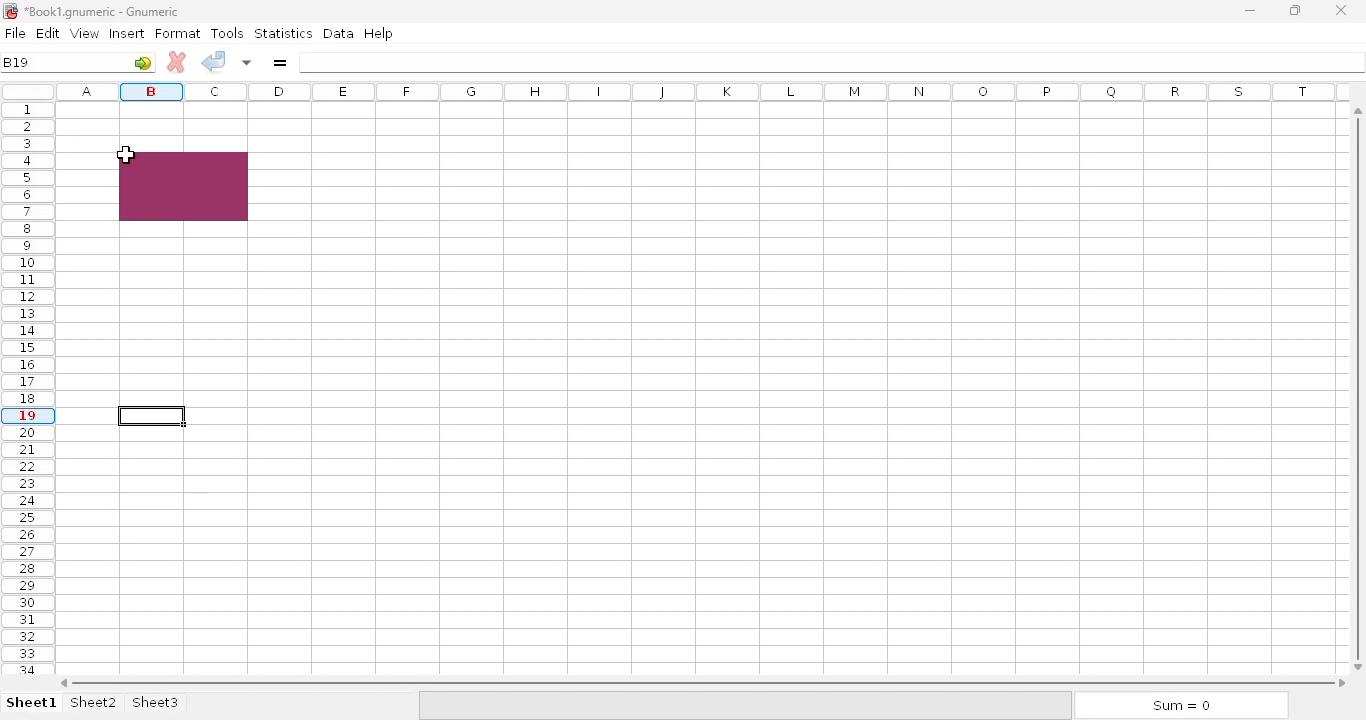 This screenshot has width=1366, height=720. I want to click on cell range, so click(183, 187).